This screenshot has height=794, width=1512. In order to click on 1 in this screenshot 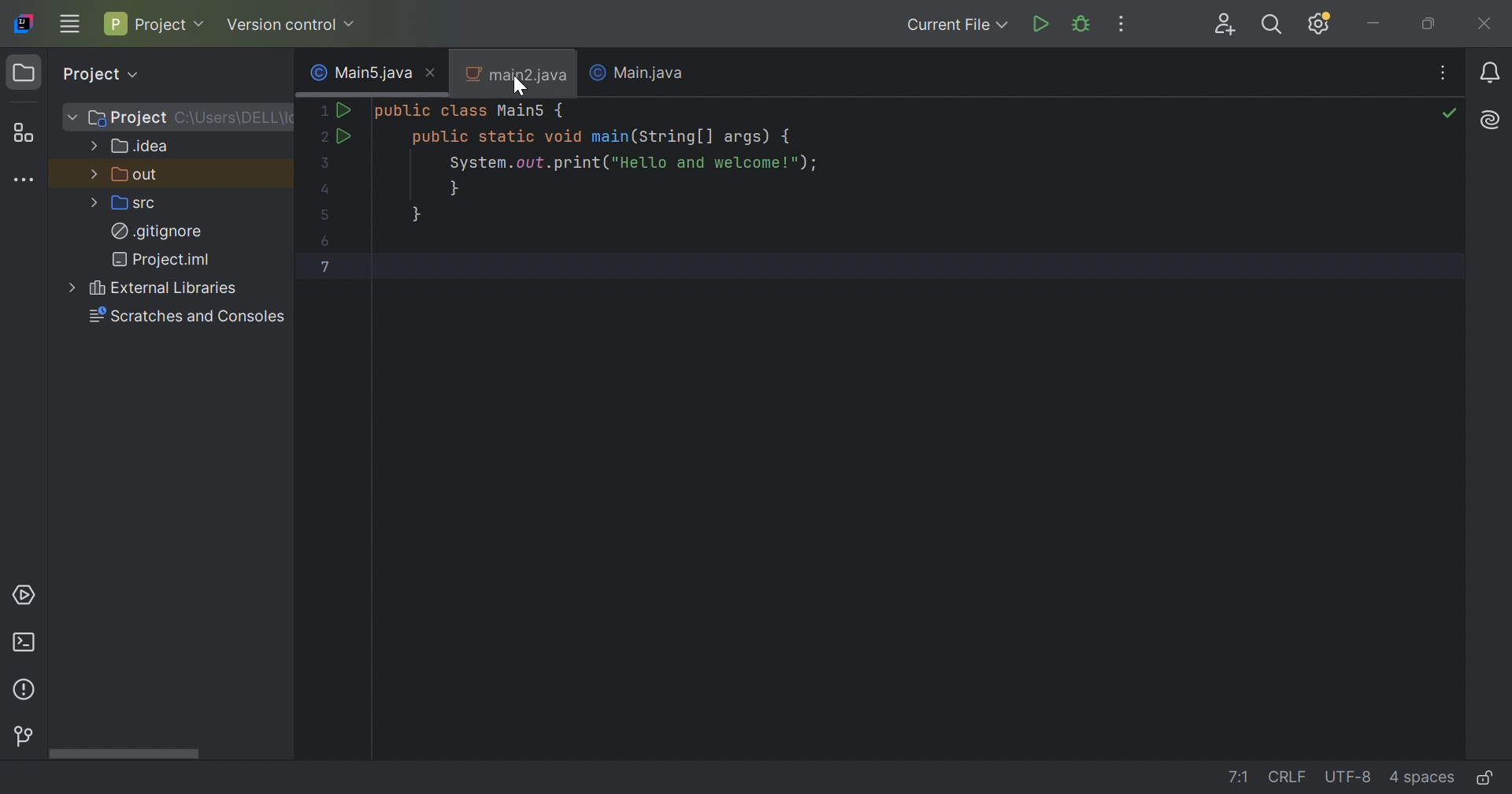, I will do `click(325, 113)`.